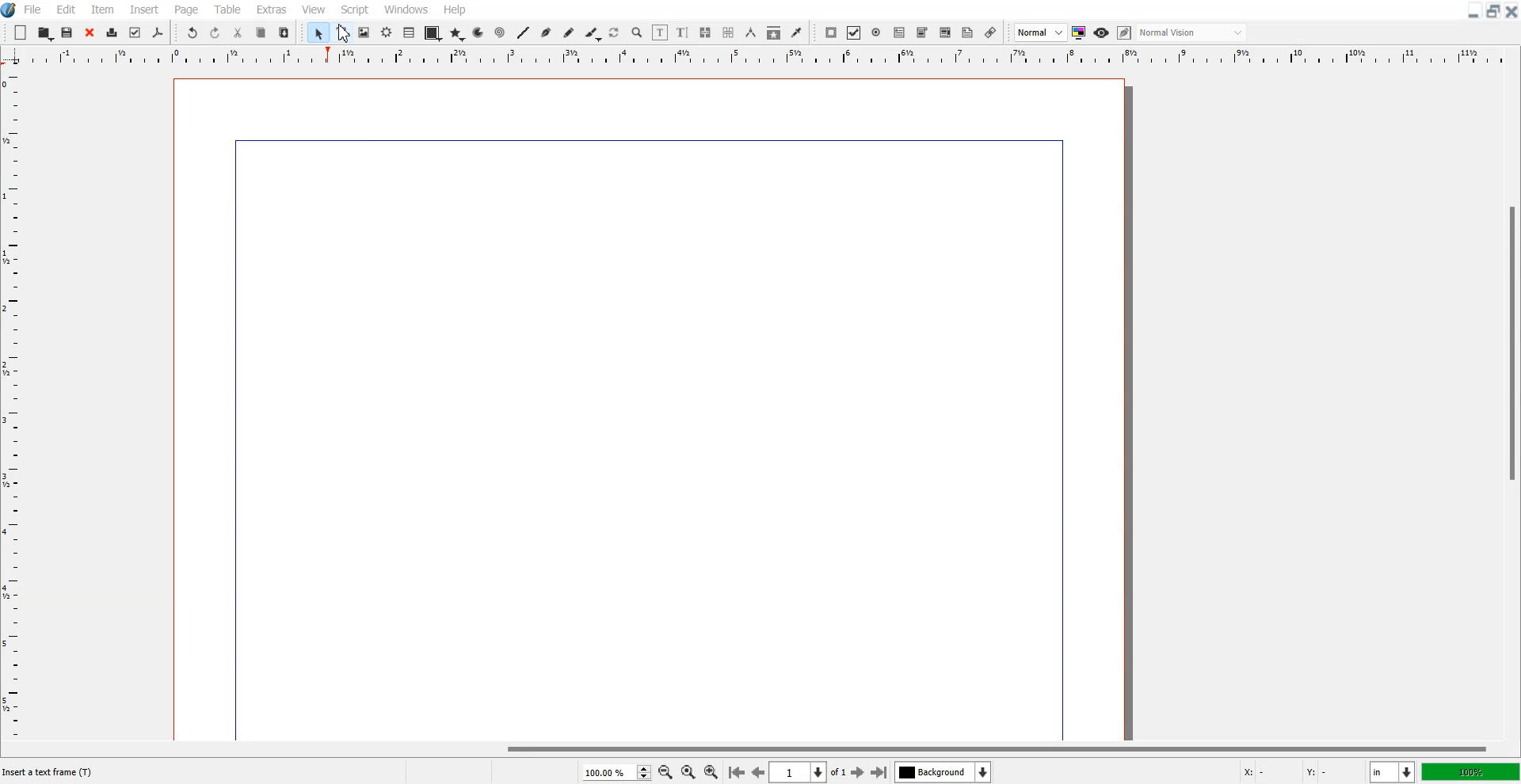 This screenshot has height=784, width=1521. I want to click on PDF List Box, so click(945, 33).